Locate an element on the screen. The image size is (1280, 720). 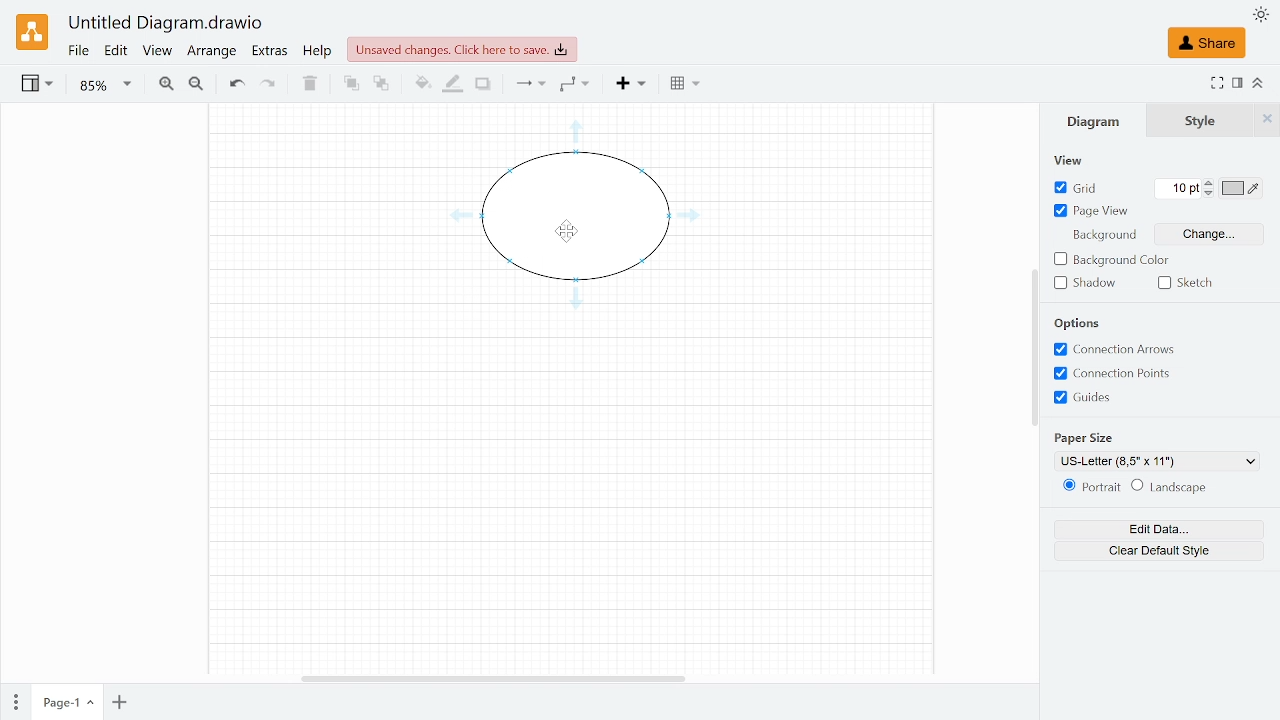
Current page (page 1) is located at coordinates (67, 704).